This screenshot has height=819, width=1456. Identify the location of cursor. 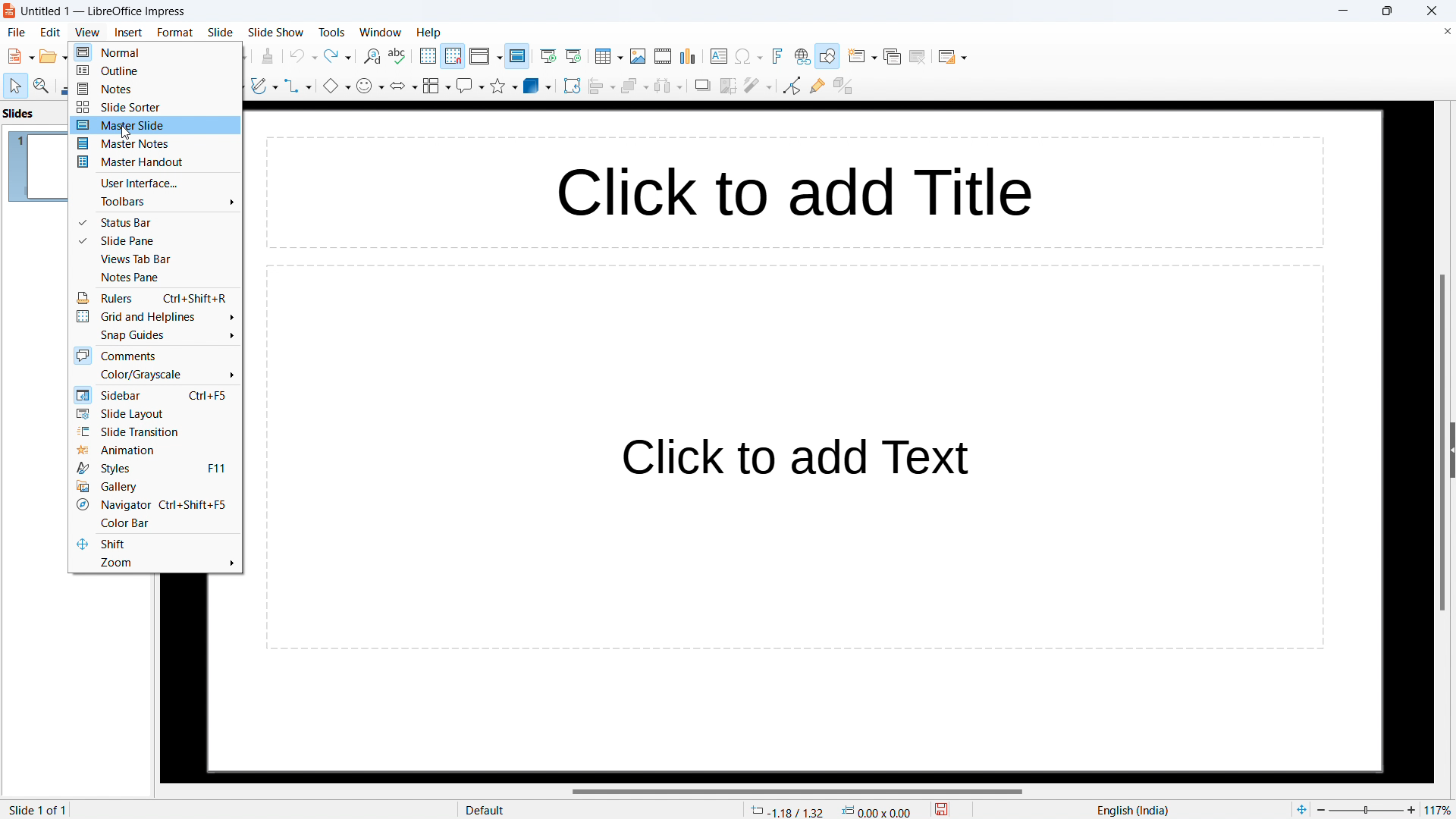
(124, 133).